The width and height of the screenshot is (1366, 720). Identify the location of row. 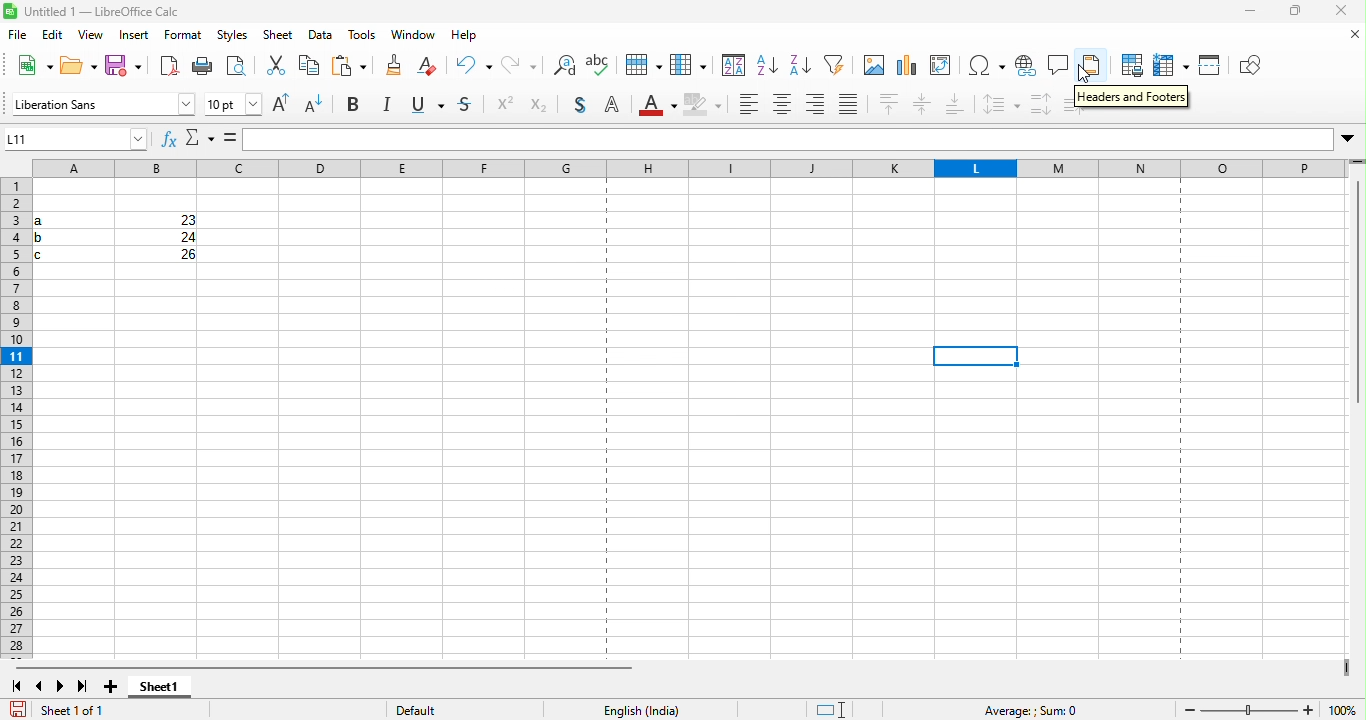
(599, 65).